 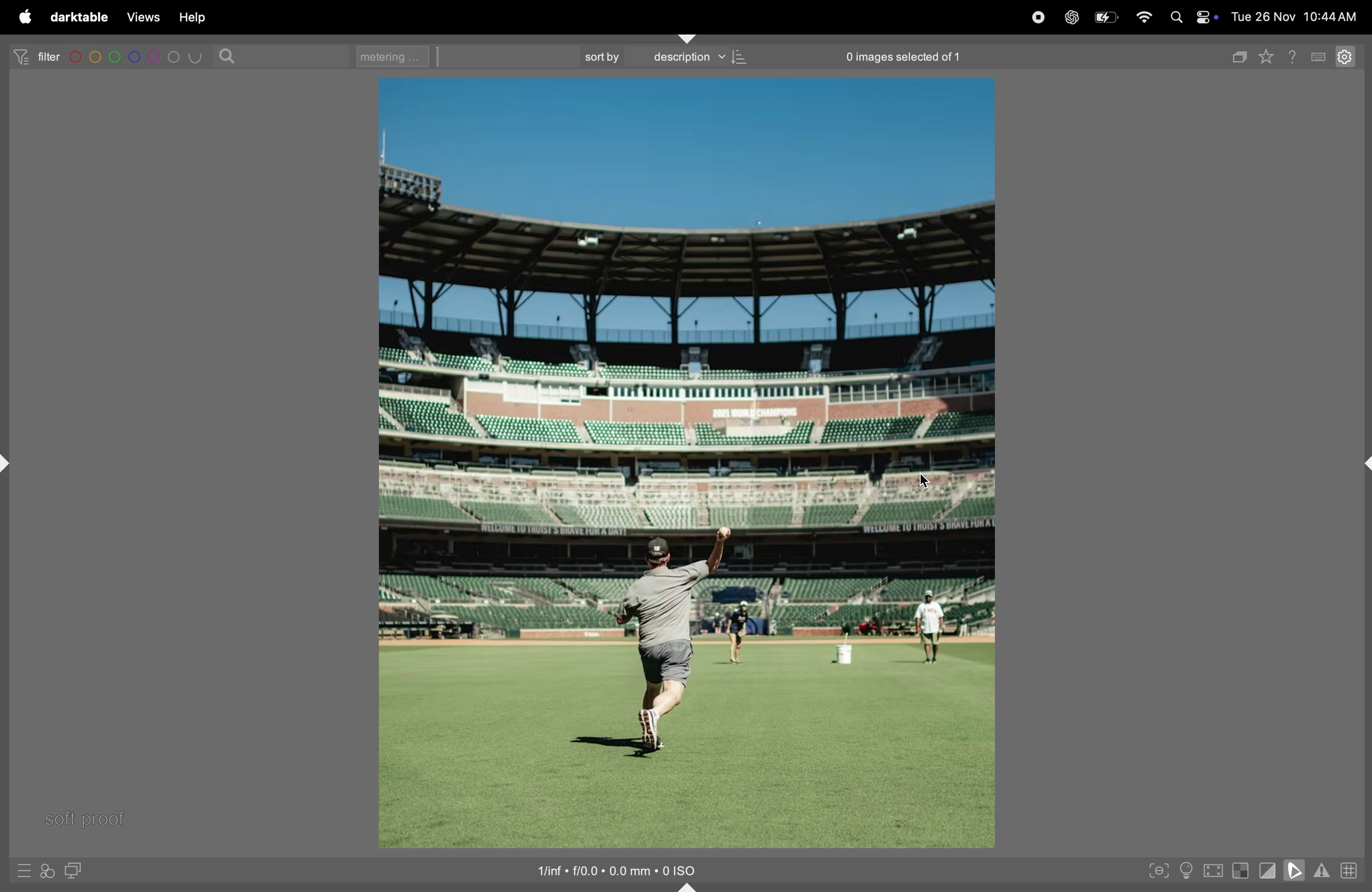 I want to click on quick access for applying styles, so click(x=49, y=871).